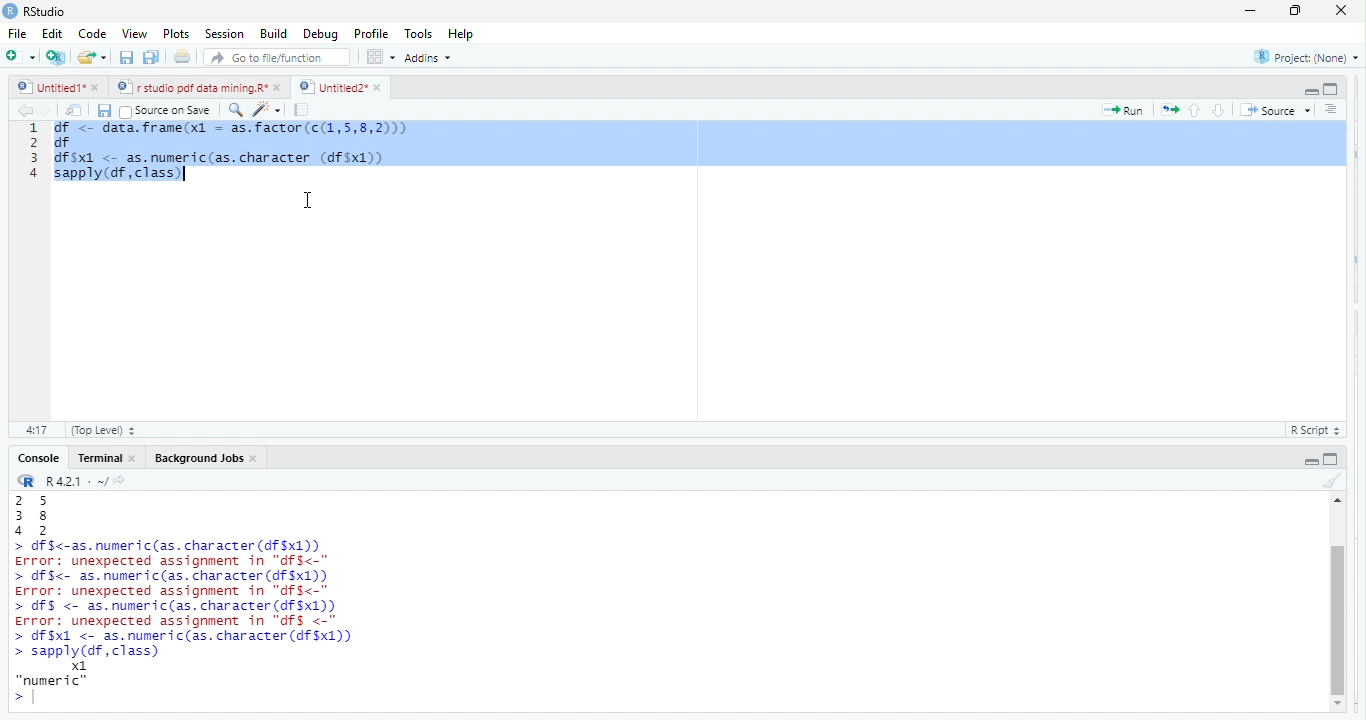 The image size is (1366, 720). I want to click on ‘Background Jobs, so click(198, 459).